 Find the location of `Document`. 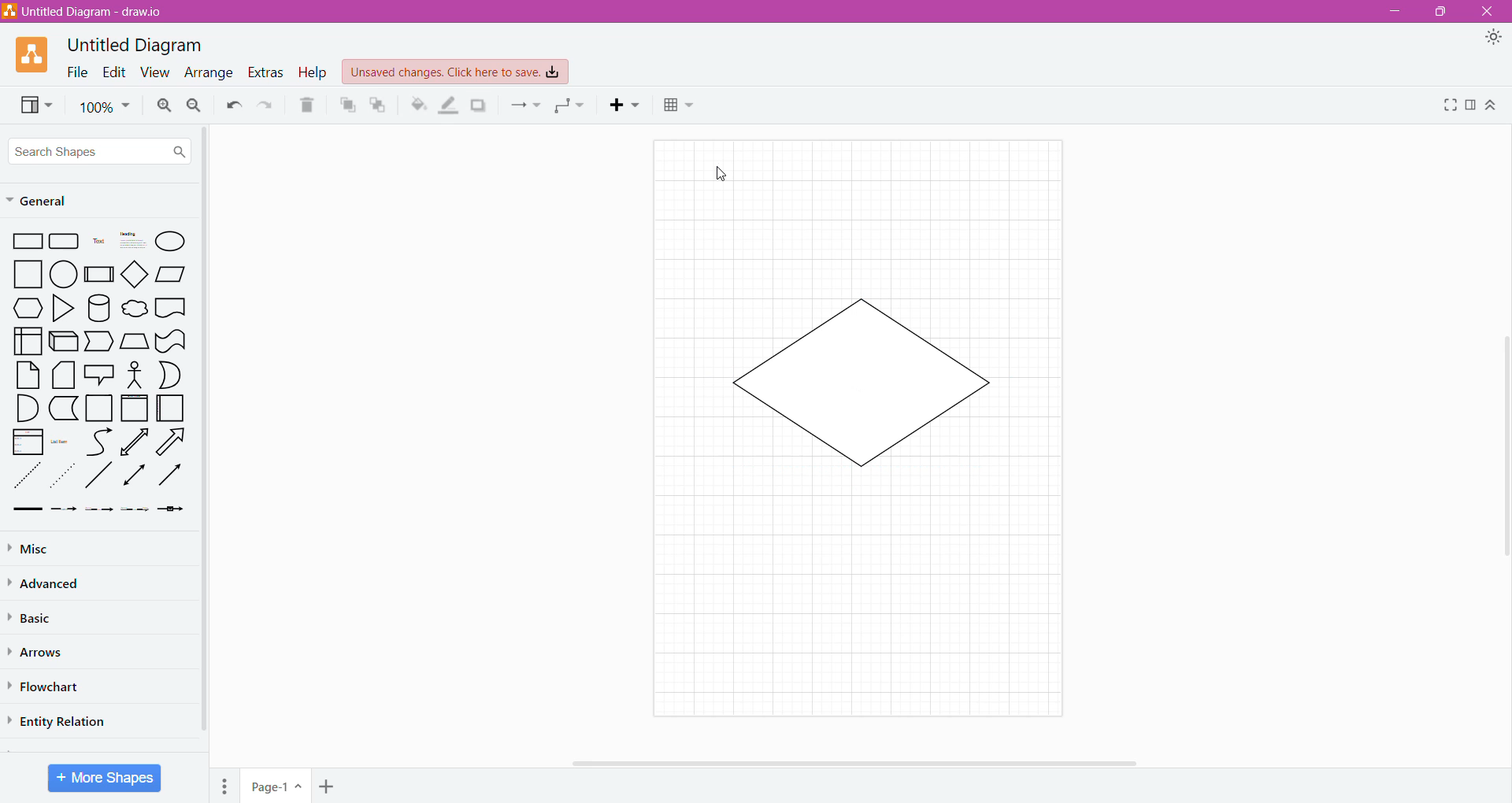

Document is located at coordinates (171, 309).